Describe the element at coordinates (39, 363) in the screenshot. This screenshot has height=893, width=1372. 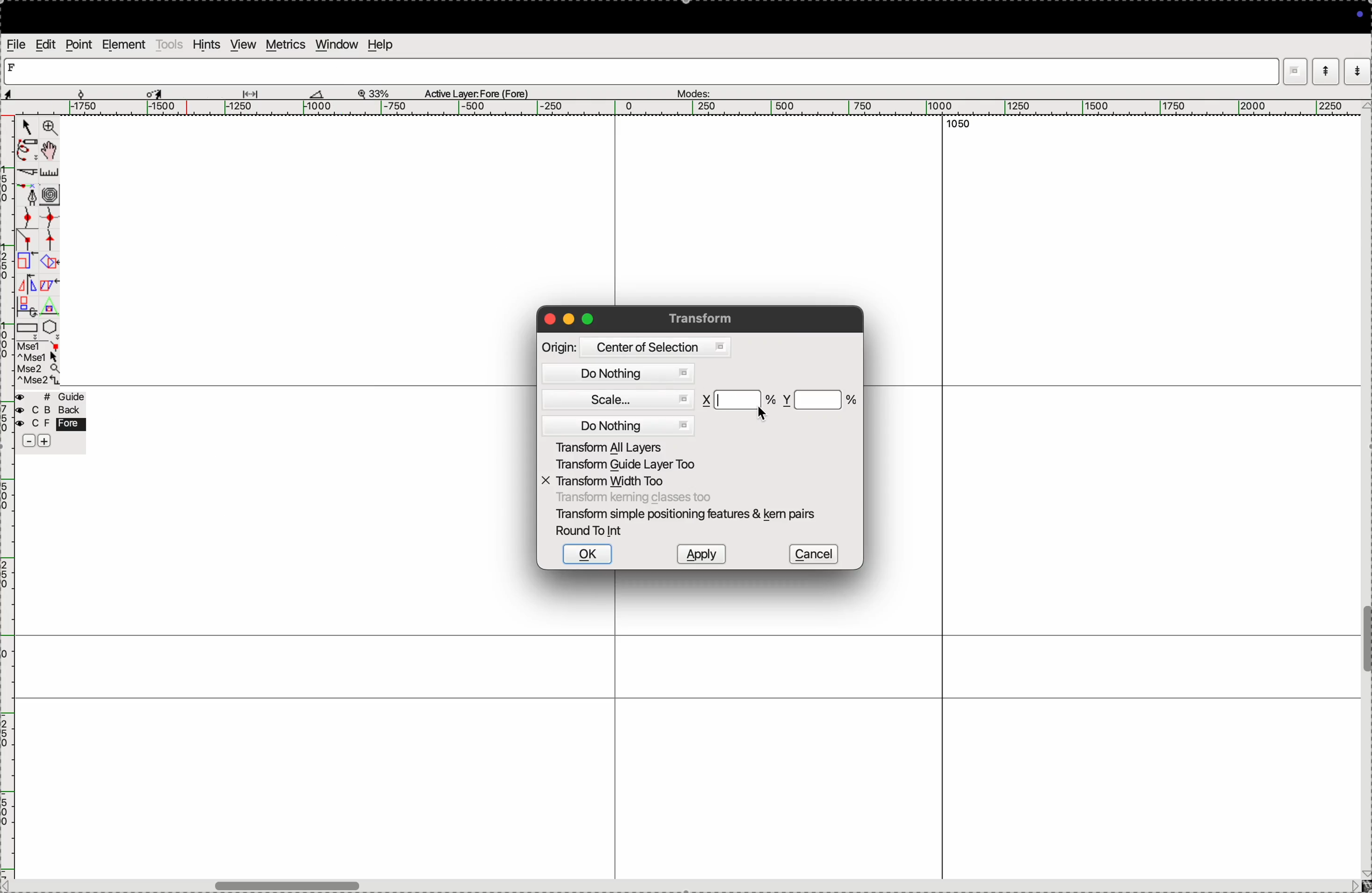
I see `mse ` at that location.